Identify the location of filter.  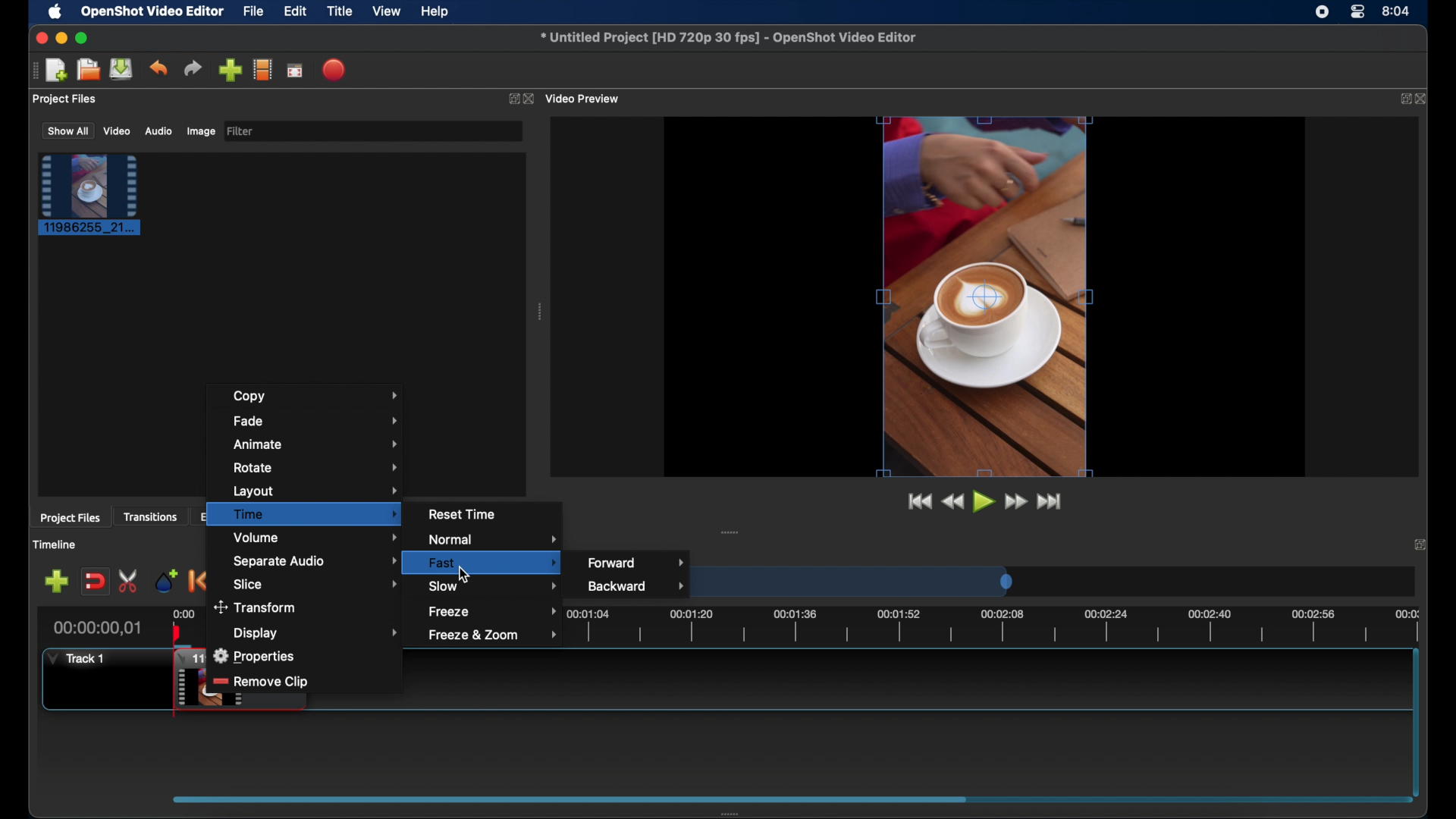
(241, 131).